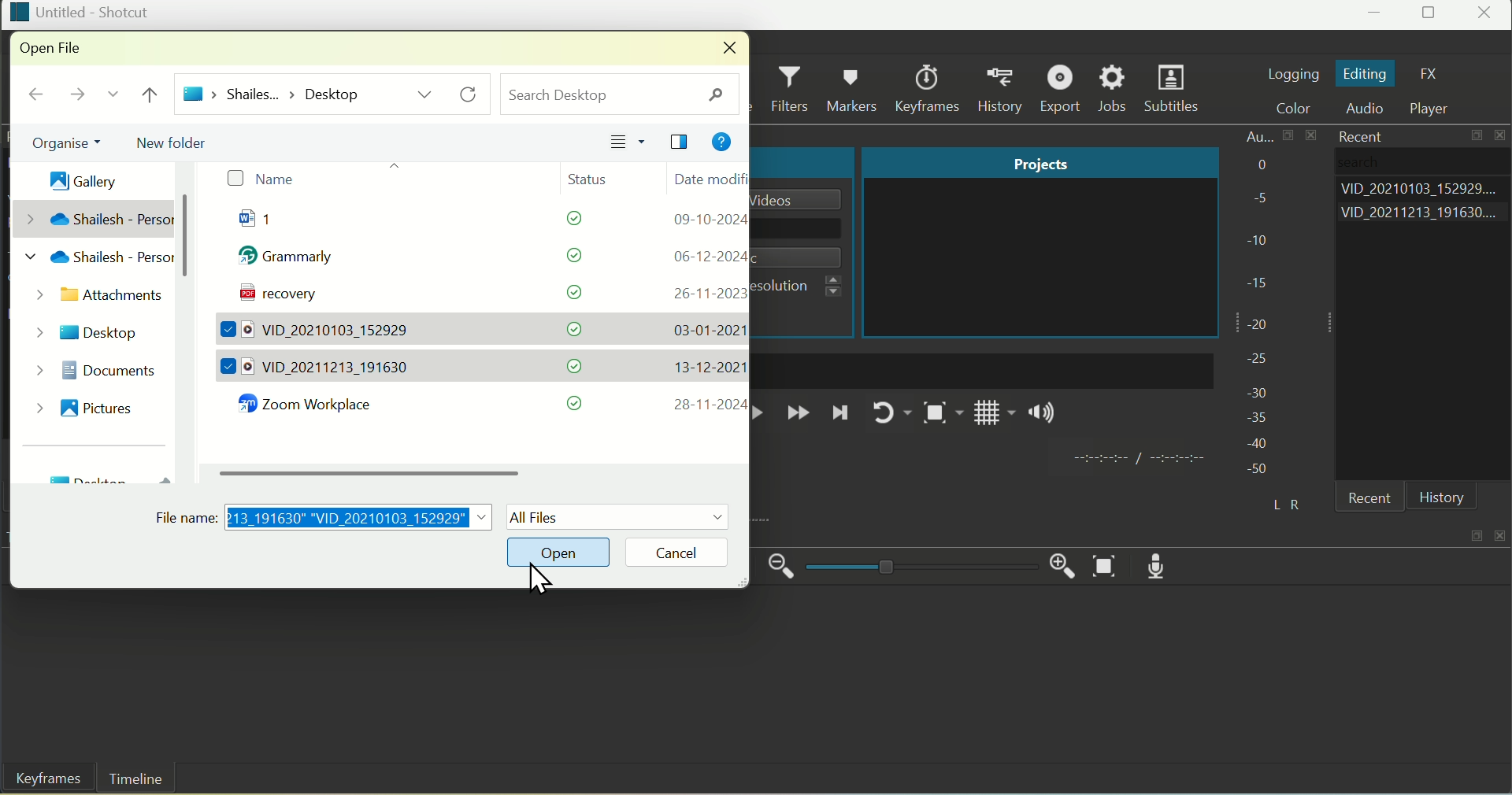 Image resolution: width=1512 pixels, height=795 pixels. What do you see at coordinates (272, 93) in the screenshot?
I see `path` at bounding box center [272, 93].